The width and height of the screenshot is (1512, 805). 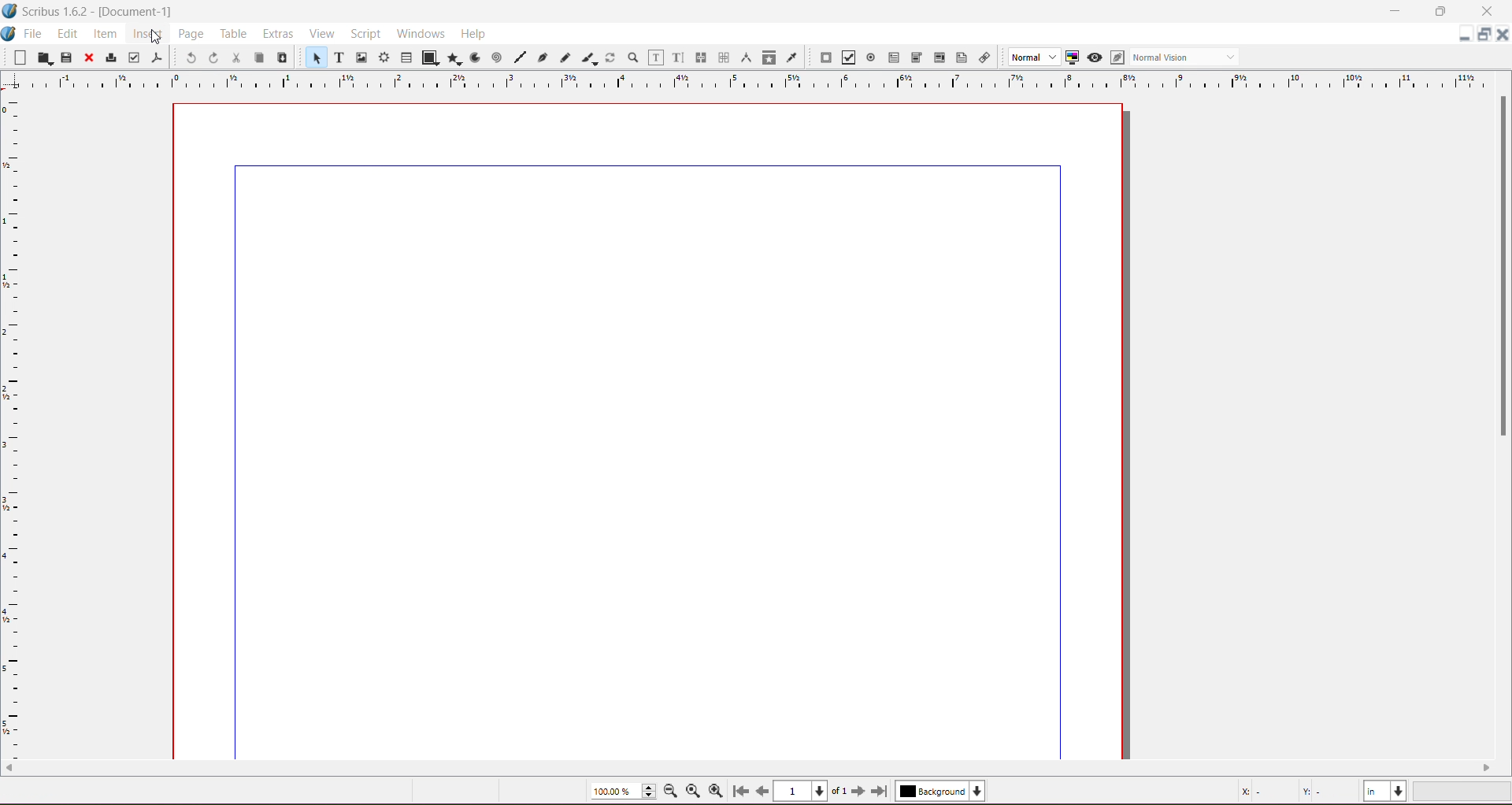 I want to click on Spiral, so click(x=495, y=58).